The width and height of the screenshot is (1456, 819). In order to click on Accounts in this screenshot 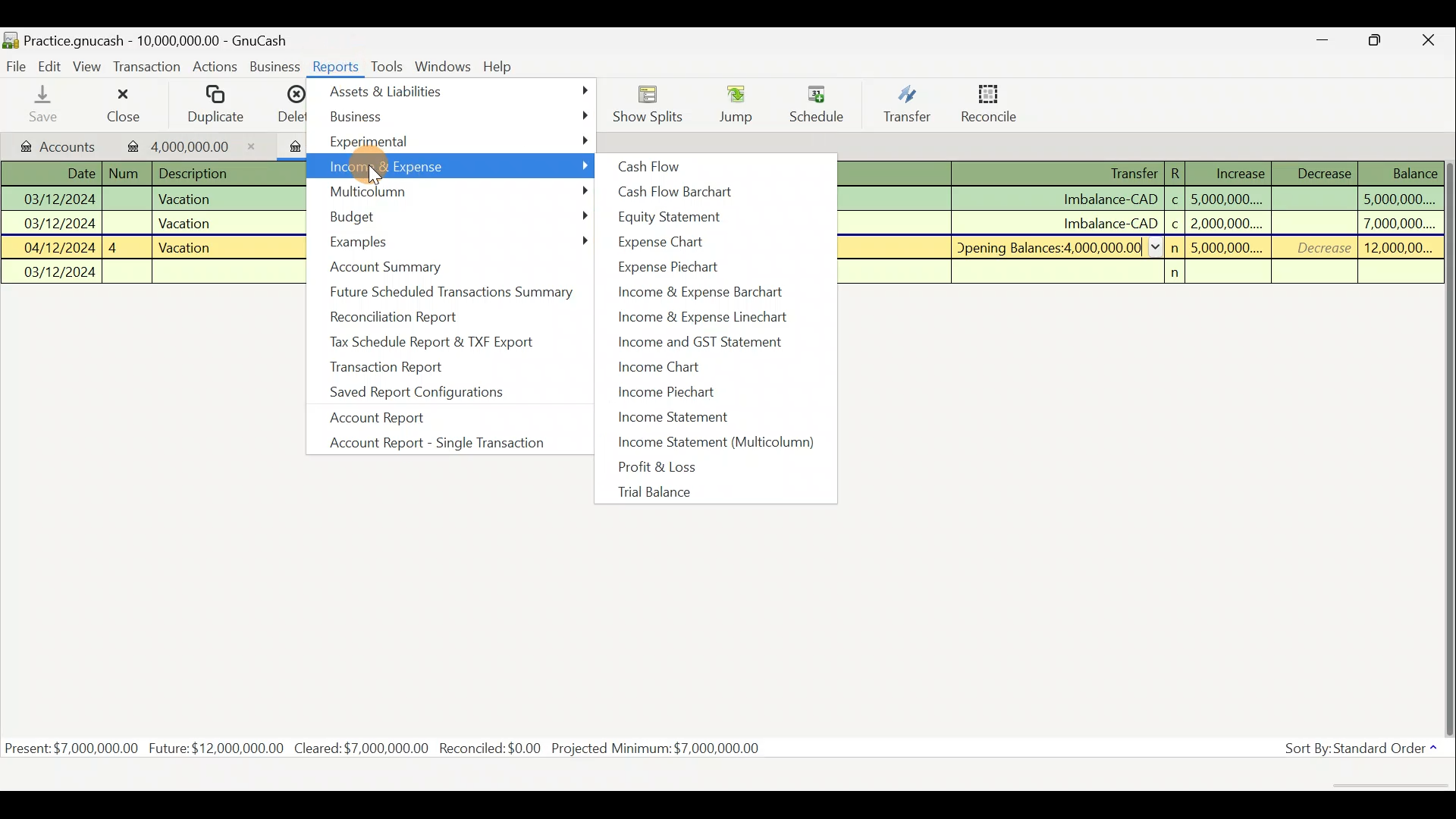, I will do `click(58, 147)`.